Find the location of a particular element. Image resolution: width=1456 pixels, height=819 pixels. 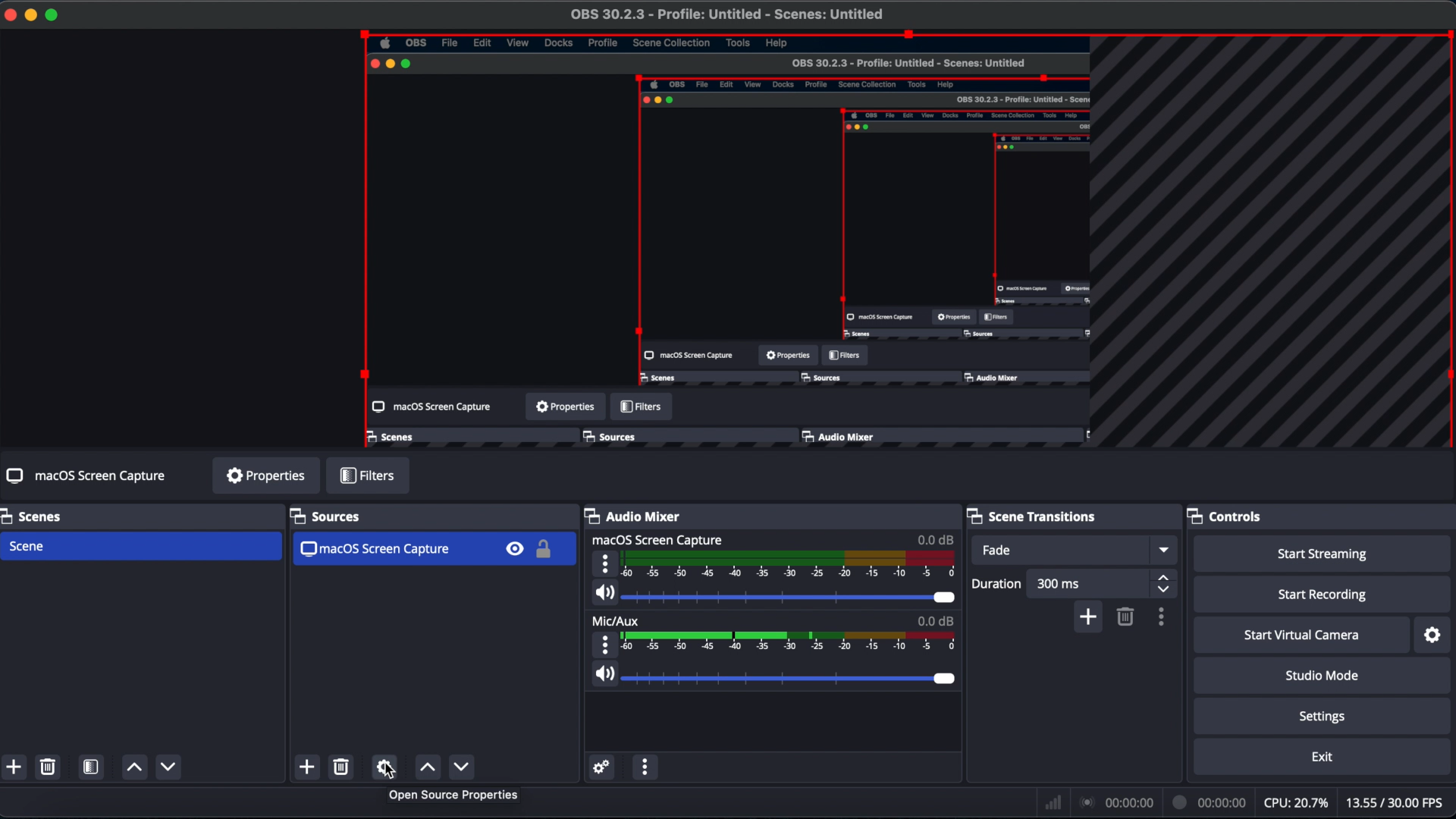

duration value field is located at coordinates (1061, 584).